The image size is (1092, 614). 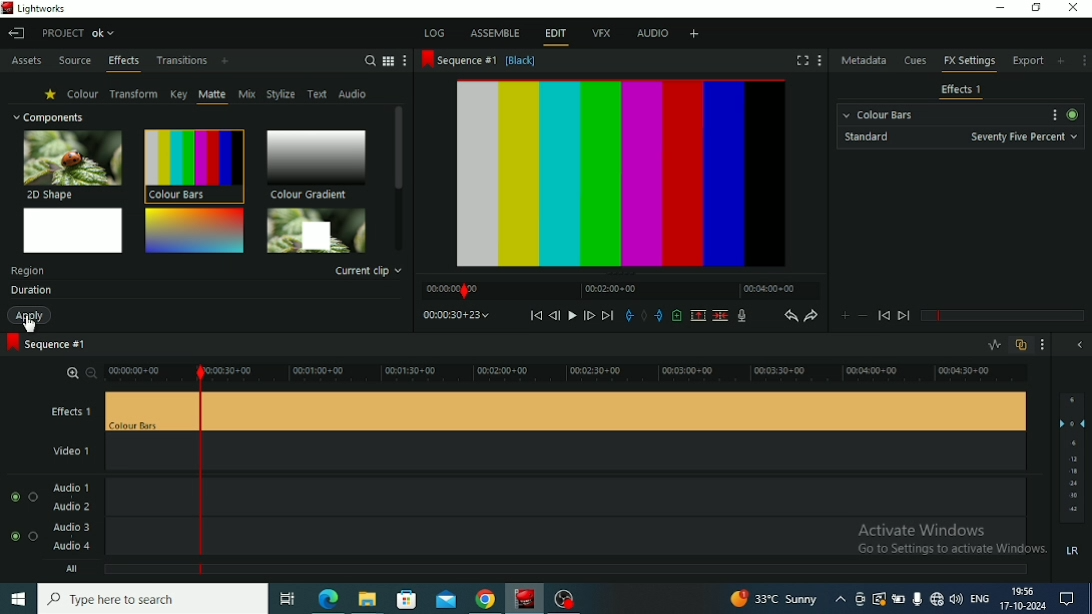 What do you see at coordinates (1063, 60) in the screenshot?
I see `Add panel` at bounding box center [1063, 60].